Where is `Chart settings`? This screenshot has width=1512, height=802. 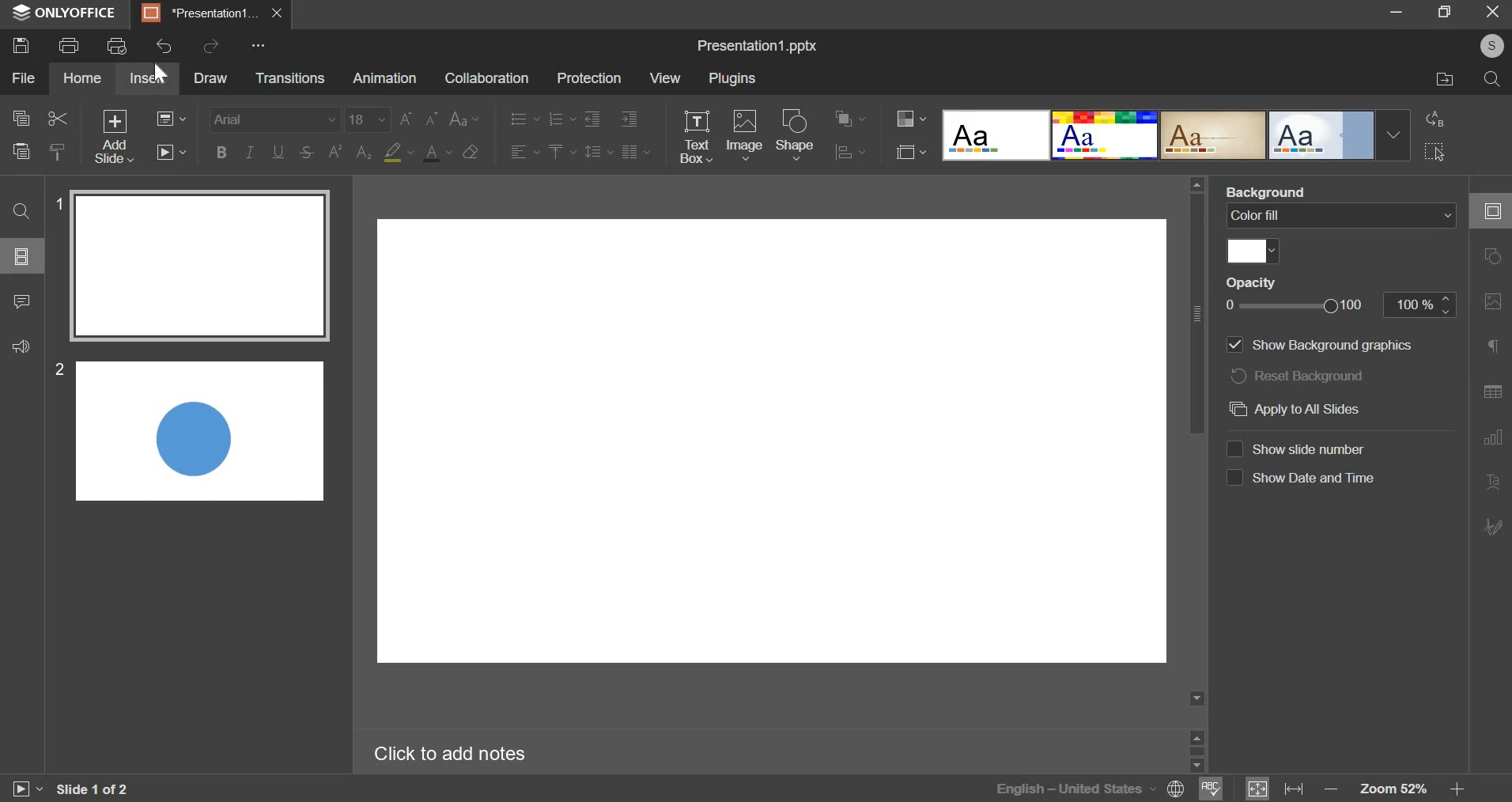 Chart settings is located at coordinates (1492, 437).